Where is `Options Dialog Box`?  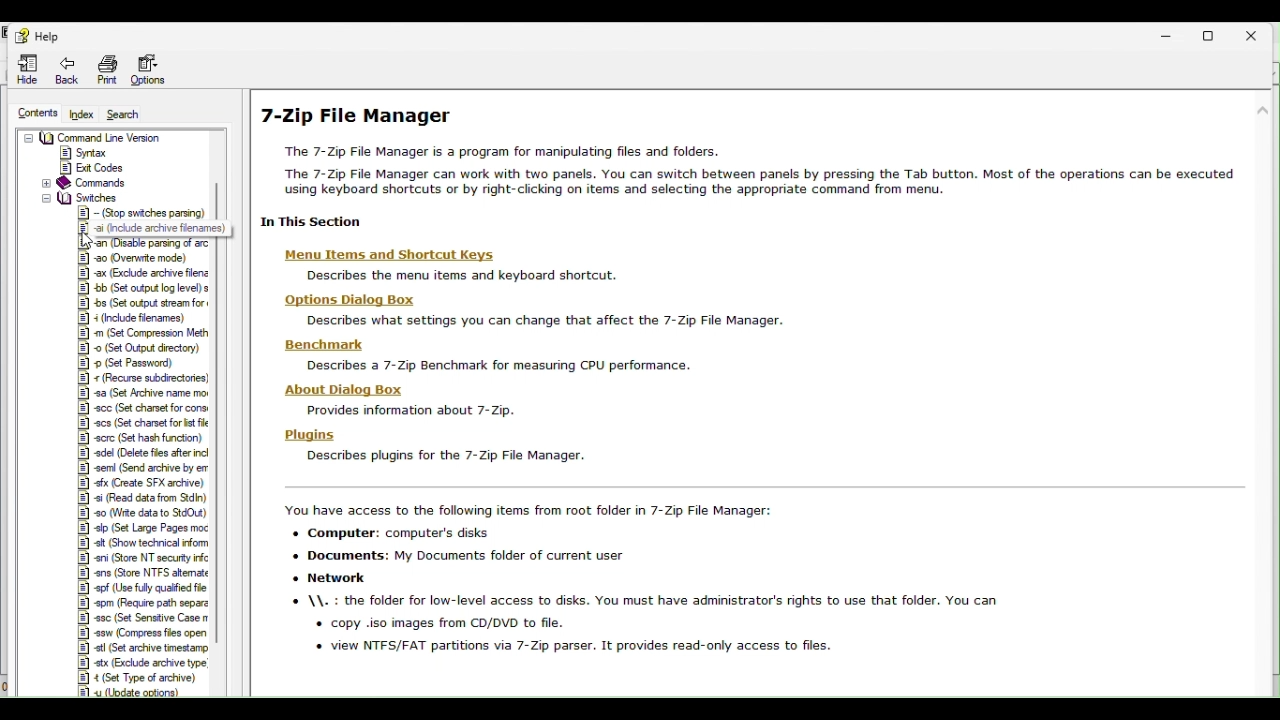 Options Dialog Box is located at coordinates (350, 300).